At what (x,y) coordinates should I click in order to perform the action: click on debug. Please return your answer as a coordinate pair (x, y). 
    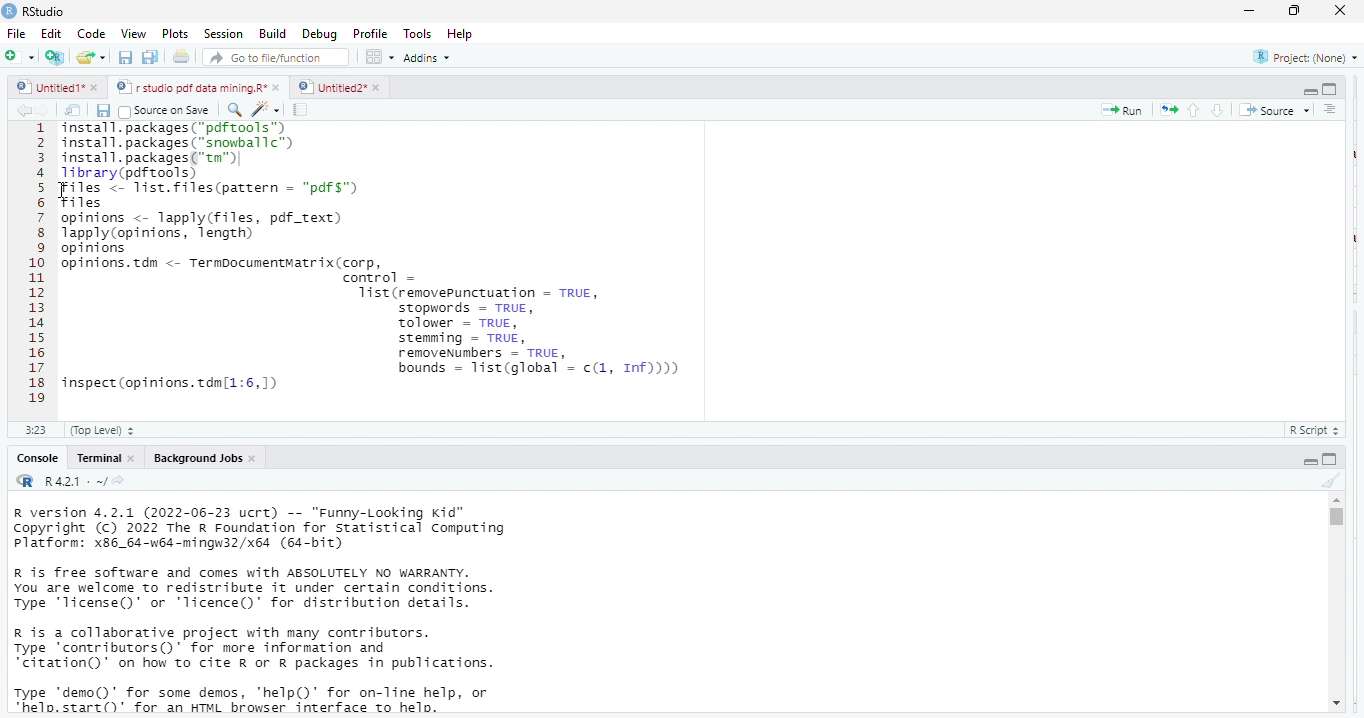
    Looking at the image, I should click on (317, 33).